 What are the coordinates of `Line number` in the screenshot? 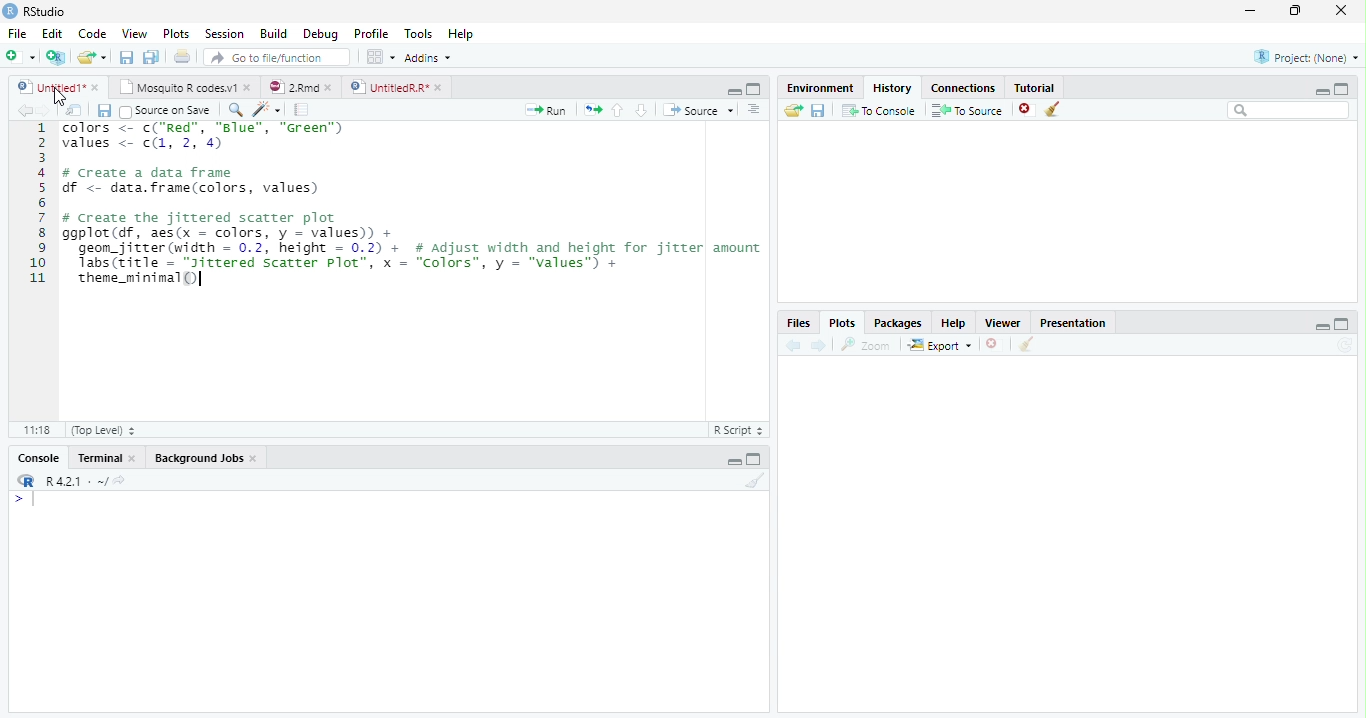 It's located at (38, 204).